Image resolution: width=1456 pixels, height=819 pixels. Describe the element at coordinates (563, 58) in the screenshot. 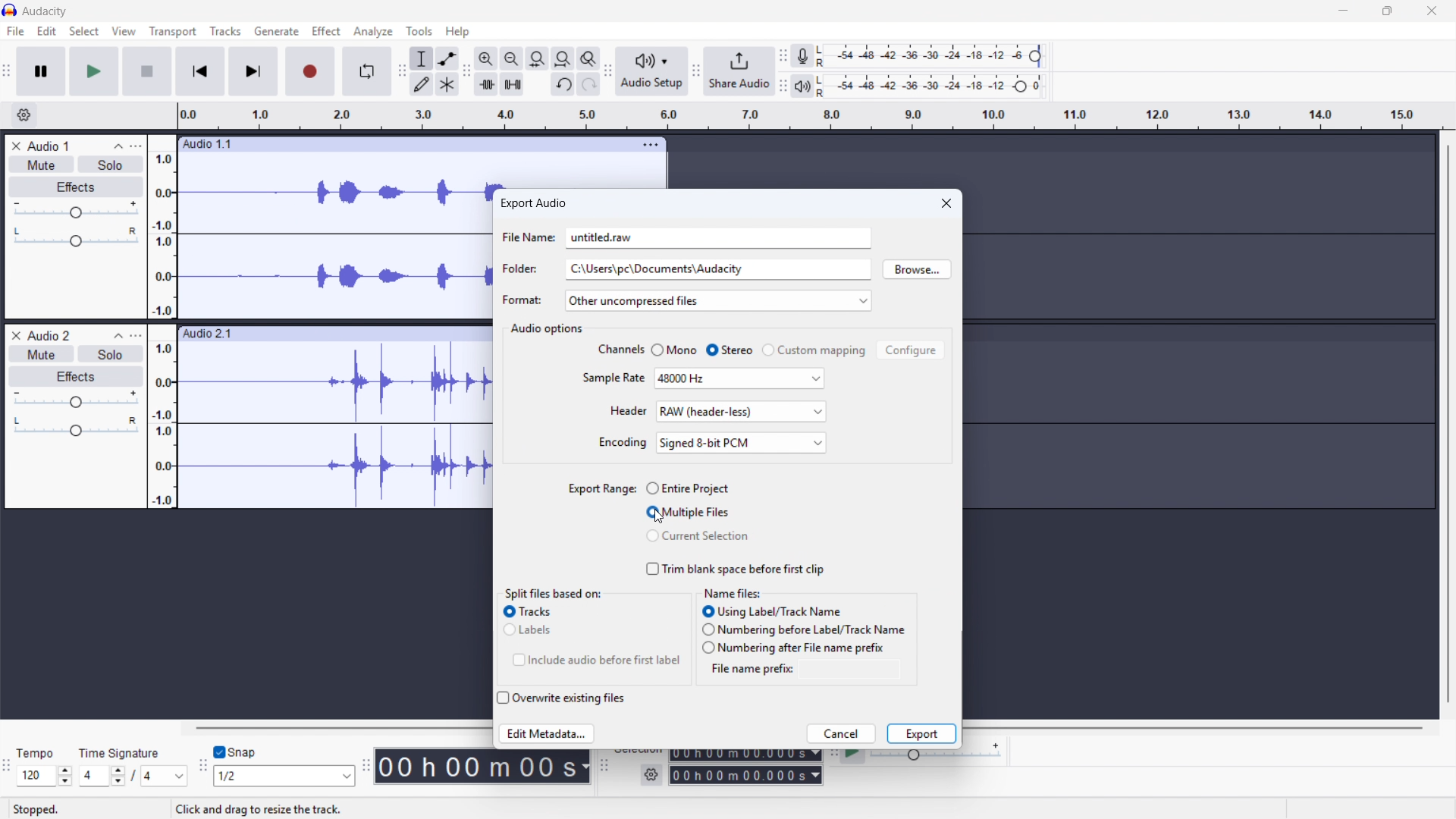

I see `fit project to width` at that location.